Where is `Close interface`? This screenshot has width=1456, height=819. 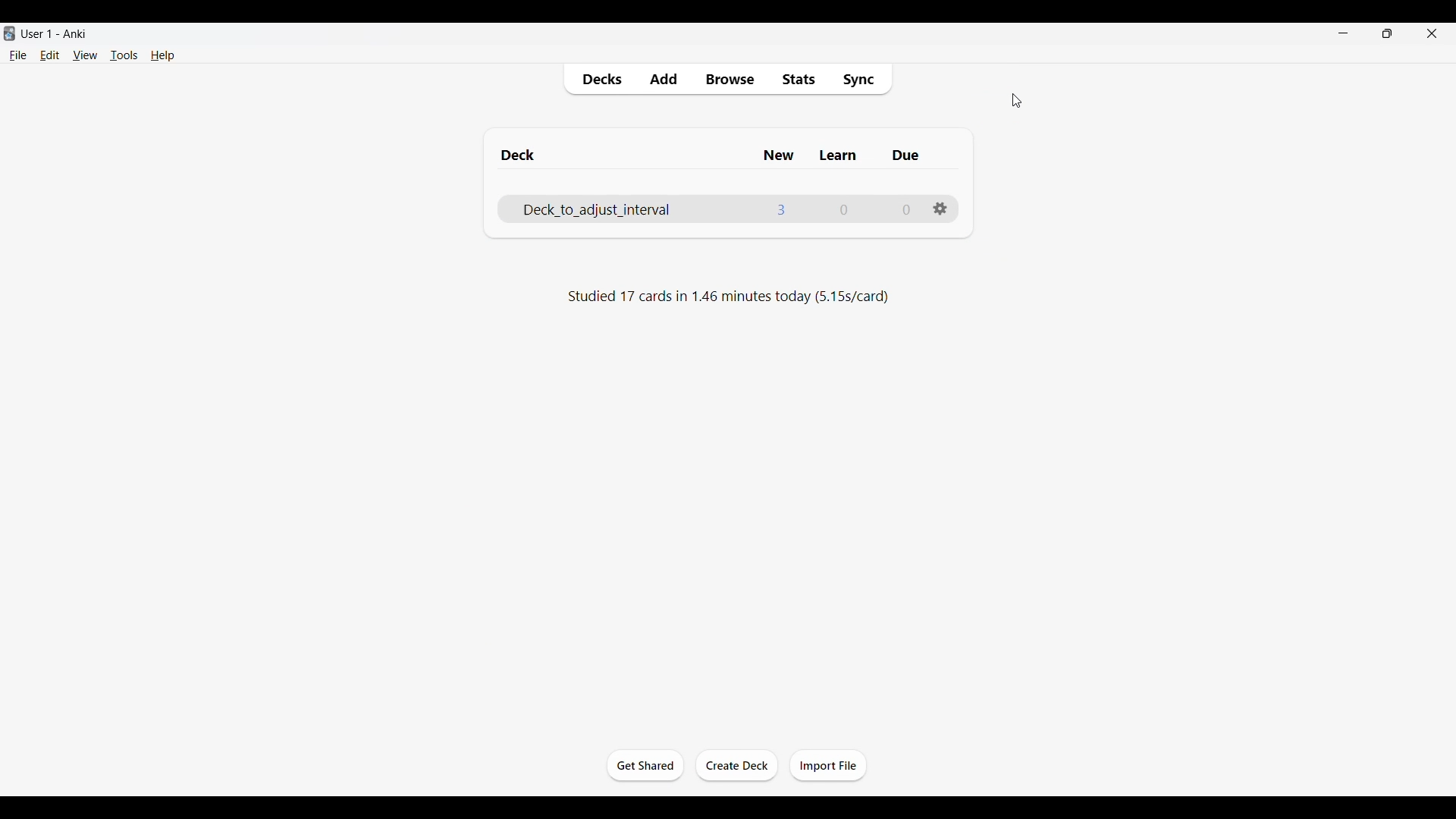 Close interface is located at coordinates (1432, 33).